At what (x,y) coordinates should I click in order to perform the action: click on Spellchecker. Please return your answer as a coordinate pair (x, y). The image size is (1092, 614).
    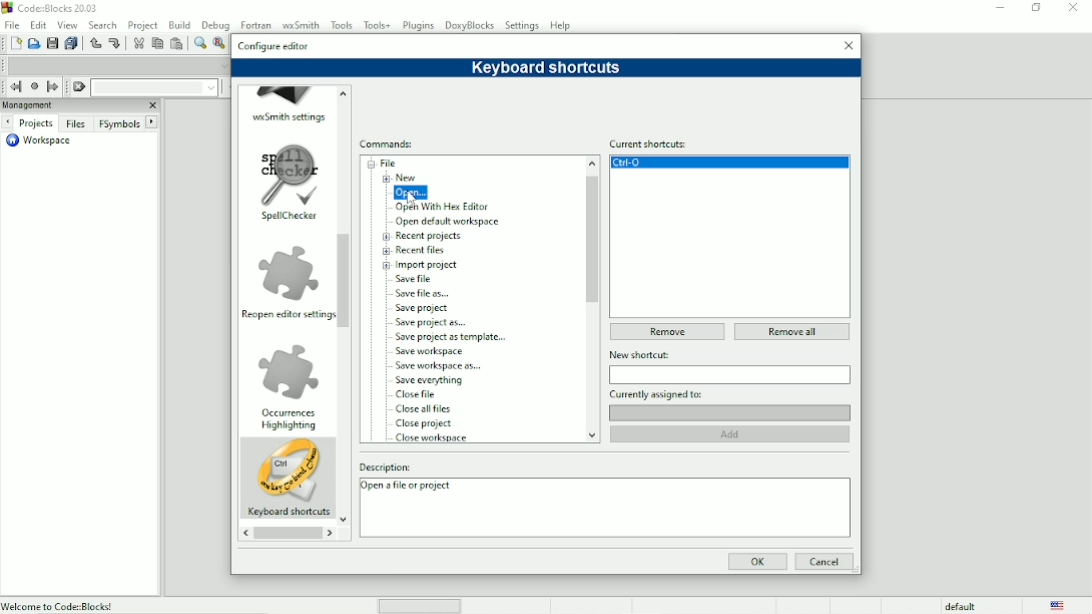
    Looking at the image, I should click on (286, 218).